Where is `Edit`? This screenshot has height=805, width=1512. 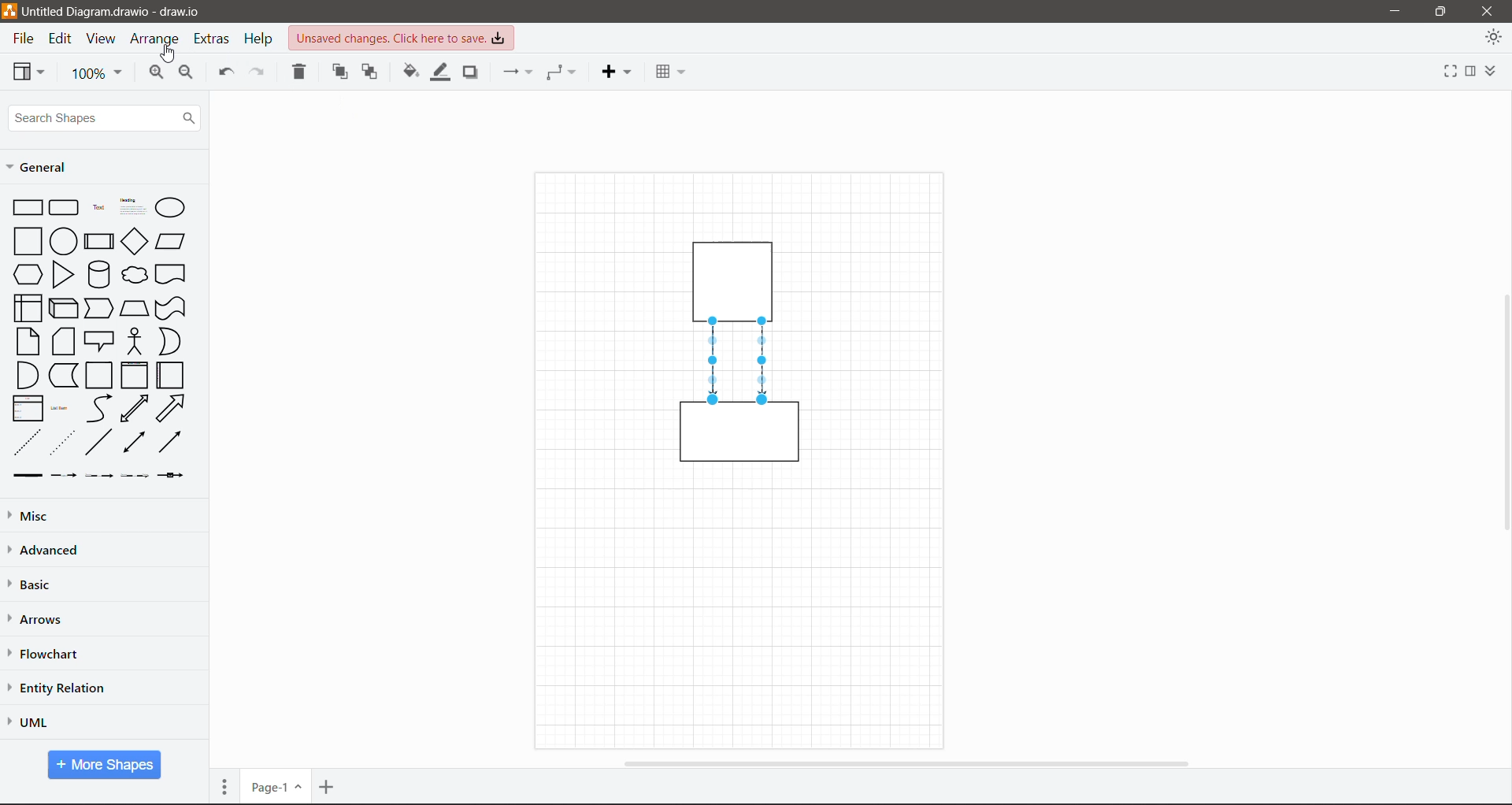 Edit is located at coordinates (62, 39).